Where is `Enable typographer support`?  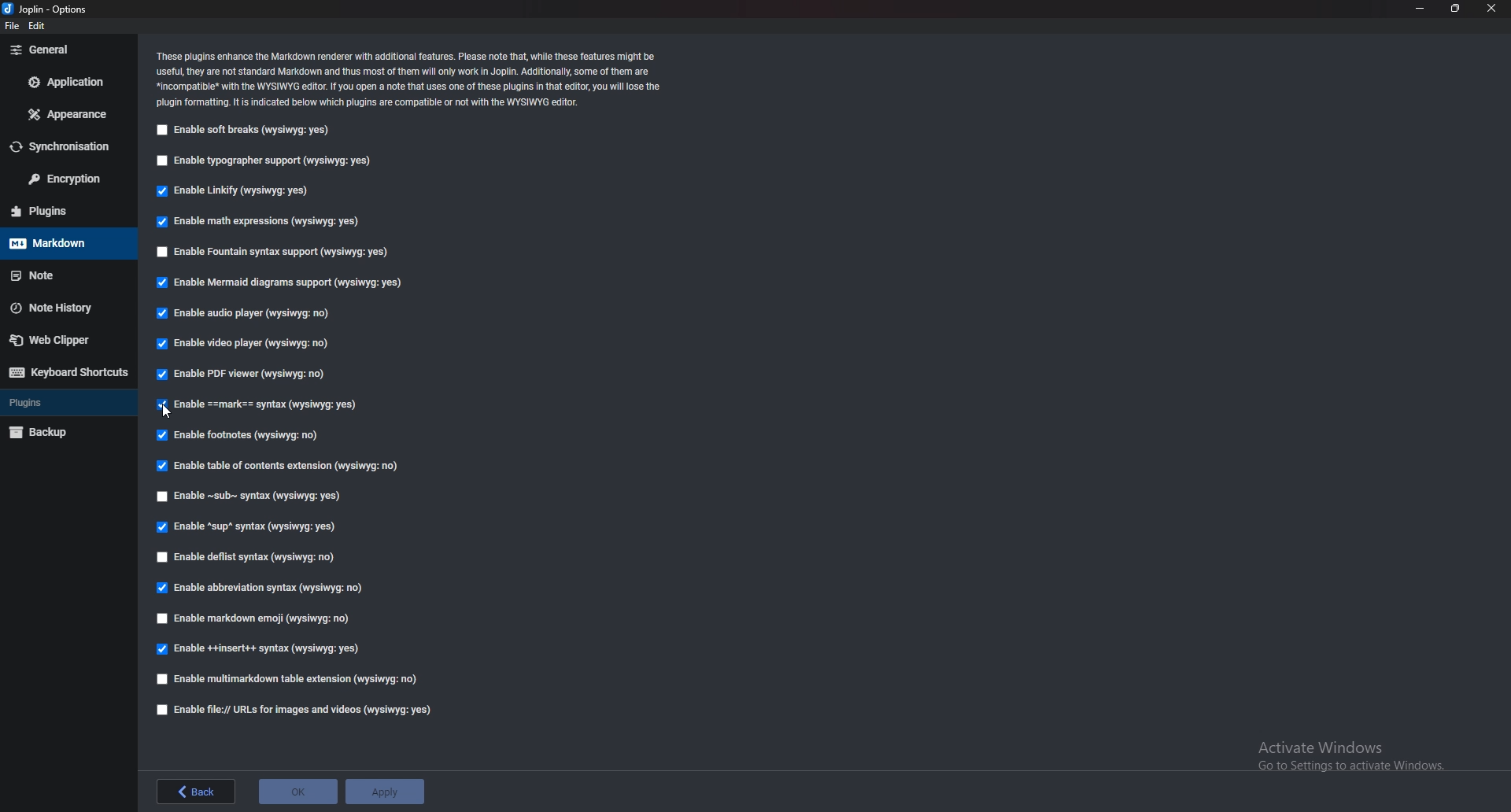
Enable typographer support is located at coordinates (268, 161).